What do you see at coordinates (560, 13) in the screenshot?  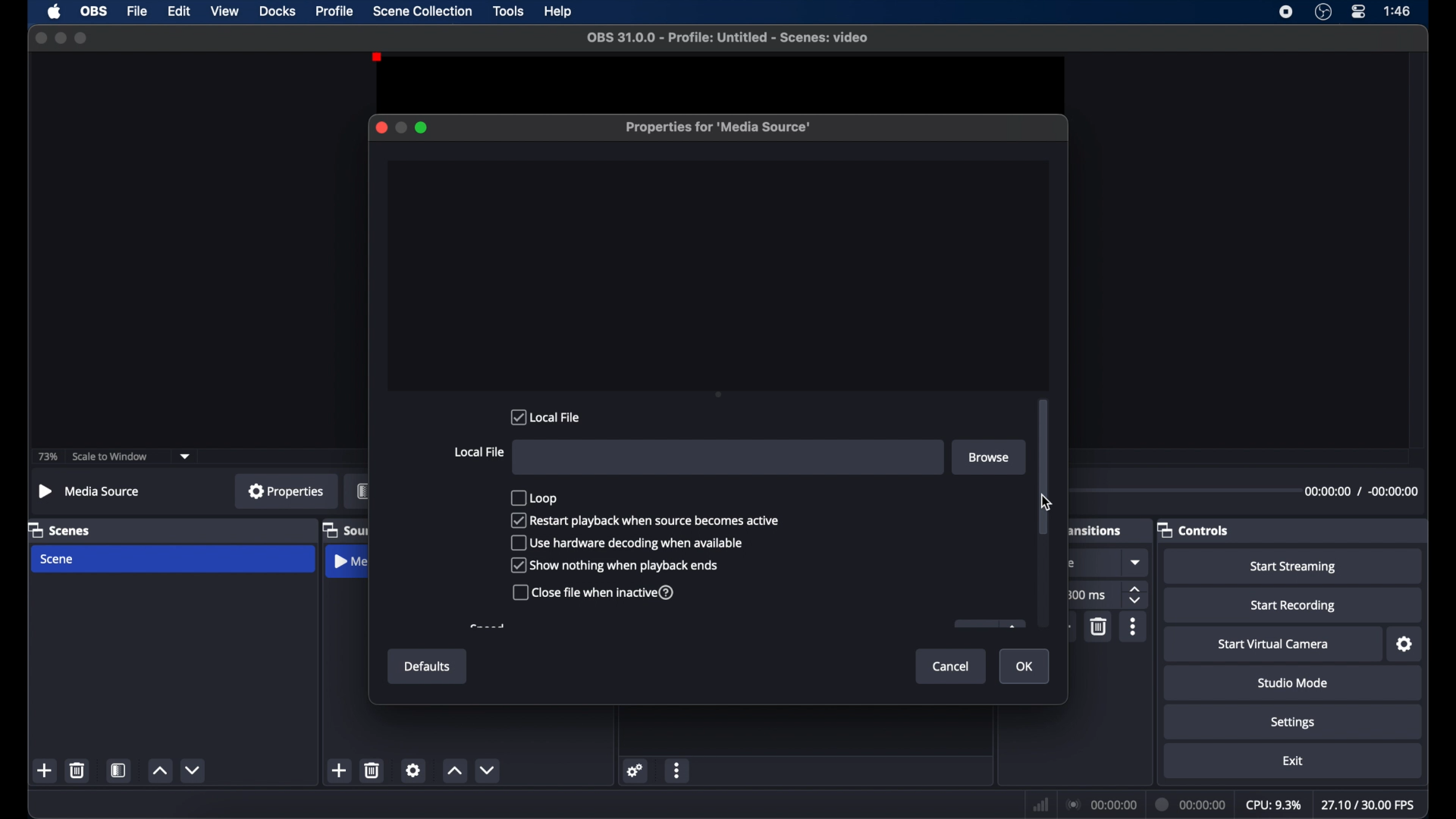 I see `help` at bounding box center [560, 13].